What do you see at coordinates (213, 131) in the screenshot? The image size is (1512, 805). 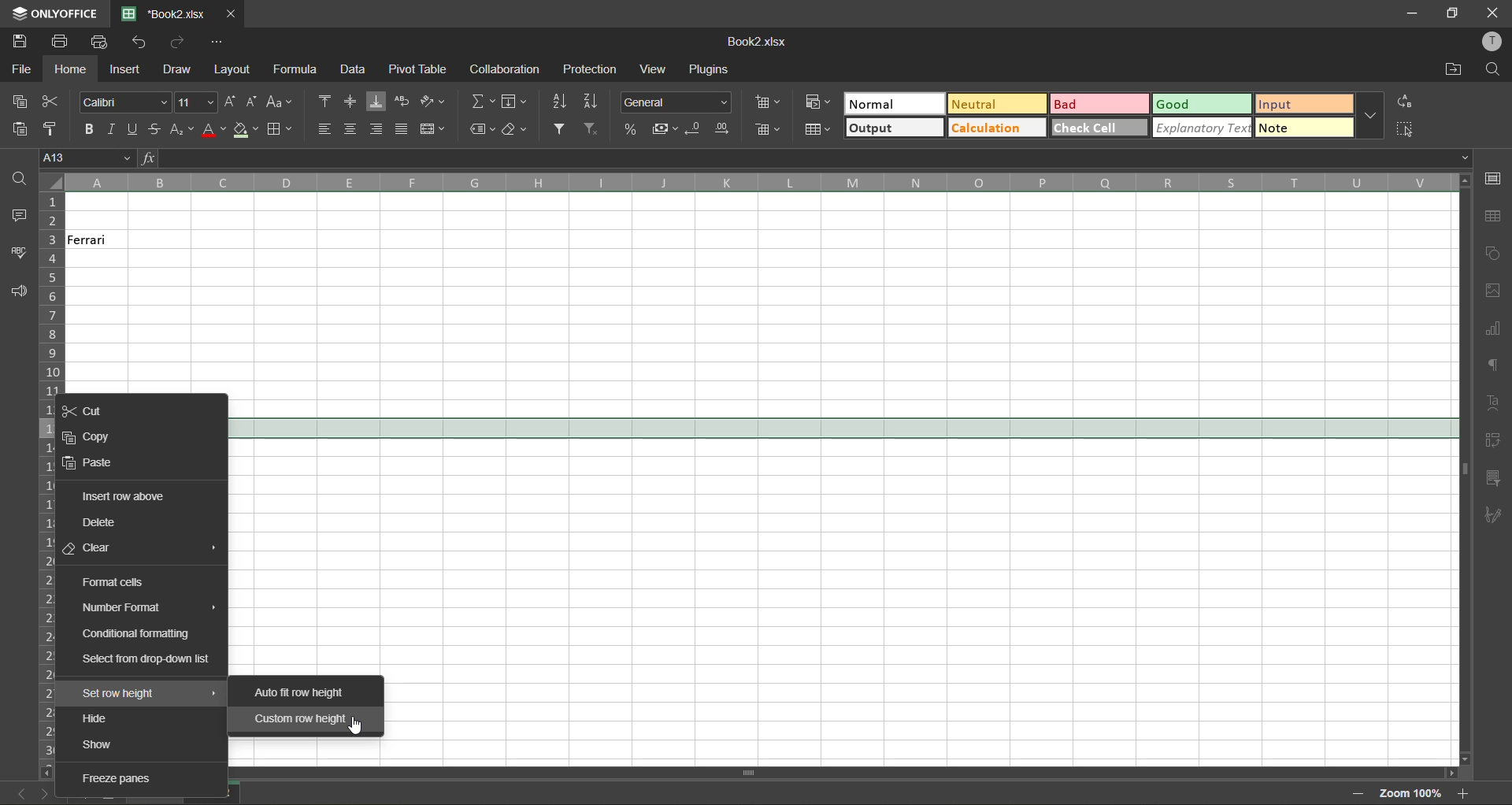 I see `font color` at bounding box center [213, 131].